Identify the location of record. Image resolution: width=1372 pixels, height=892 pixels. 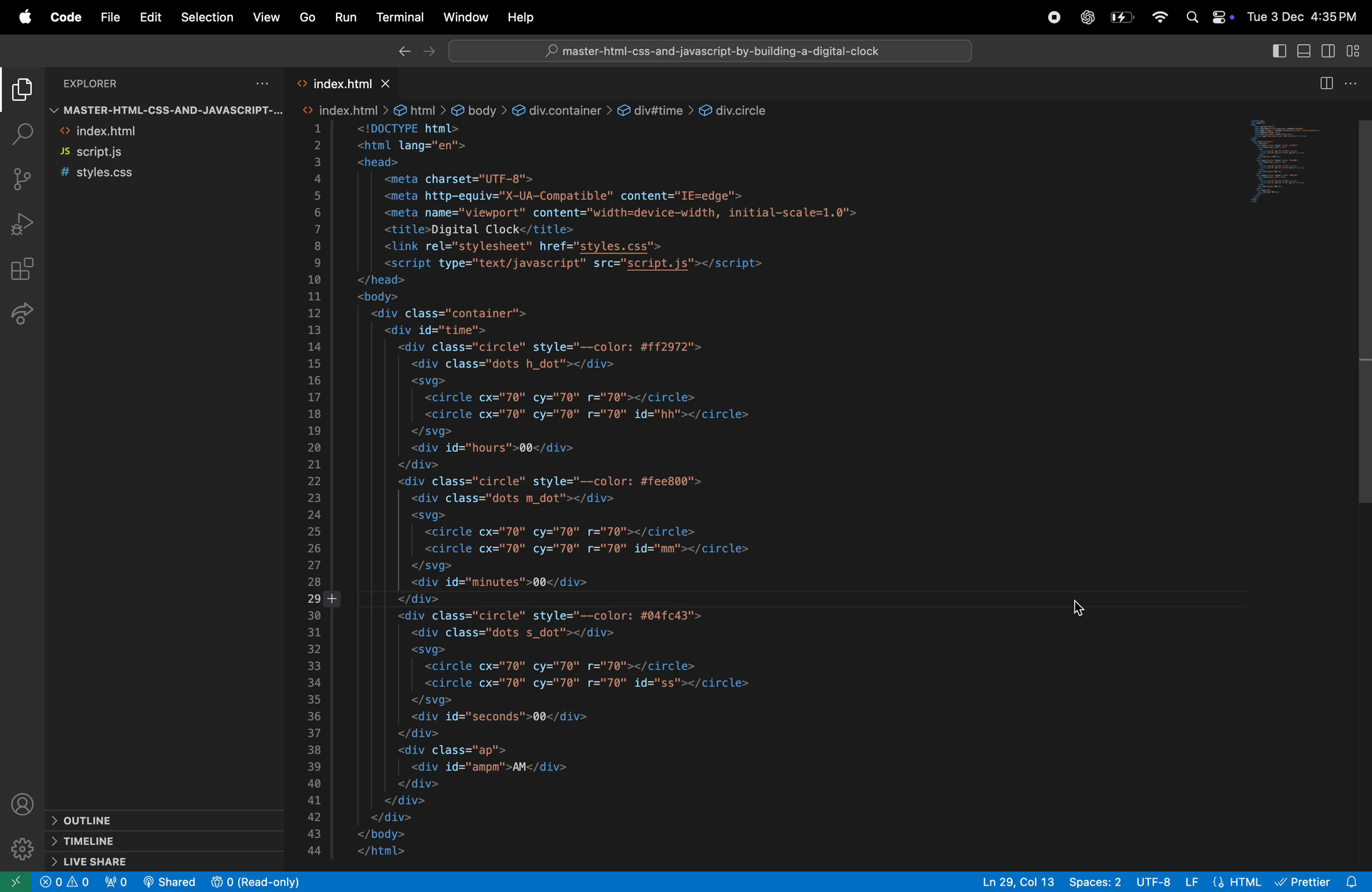
(1053, 17).